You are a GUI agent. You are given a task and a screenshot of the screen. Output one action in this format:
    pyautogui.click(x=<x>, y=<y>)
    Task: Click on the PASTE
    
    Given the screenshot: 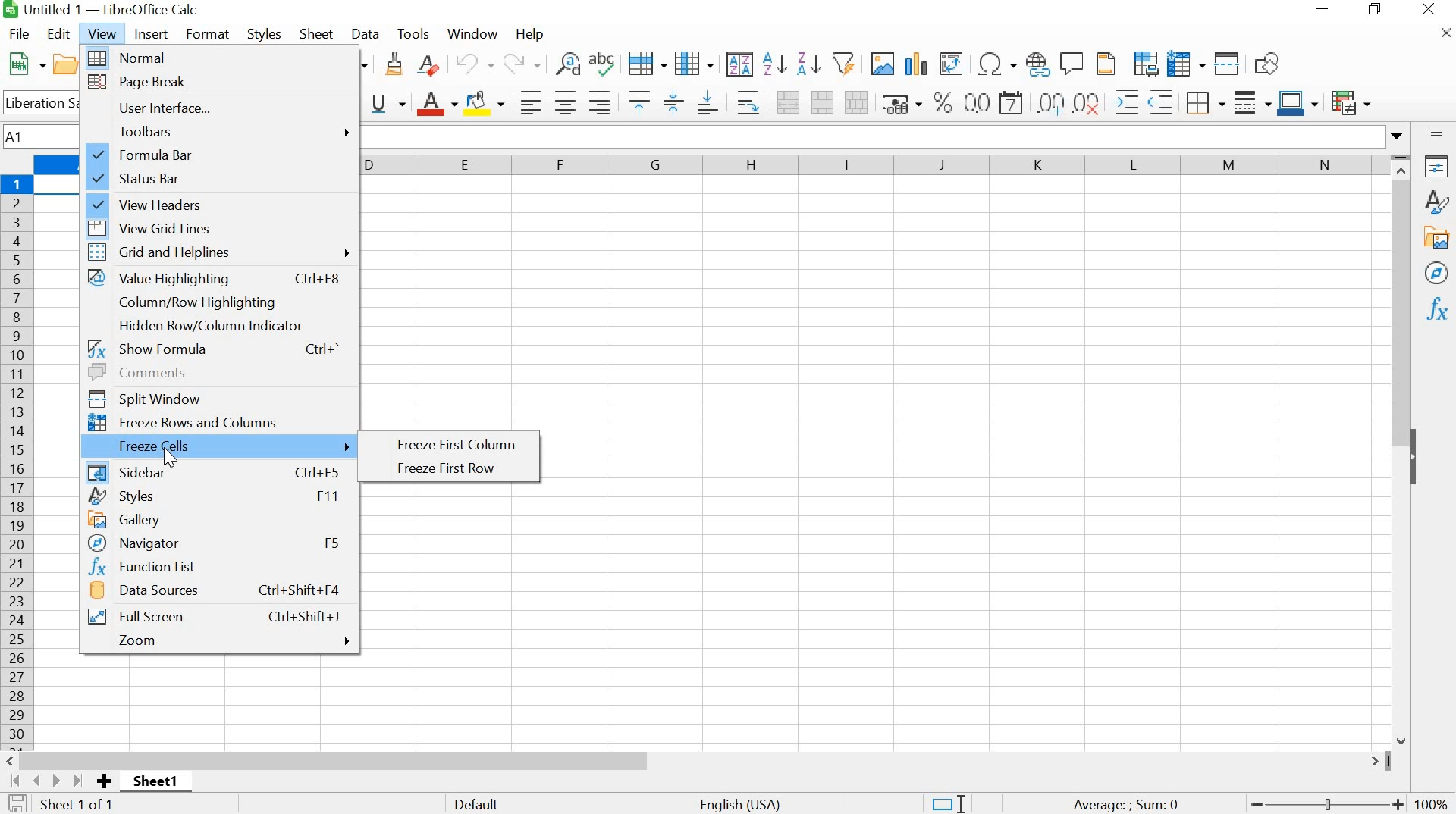 What is the action you would take?
    pyautogui.click(x=364, y=64)
    